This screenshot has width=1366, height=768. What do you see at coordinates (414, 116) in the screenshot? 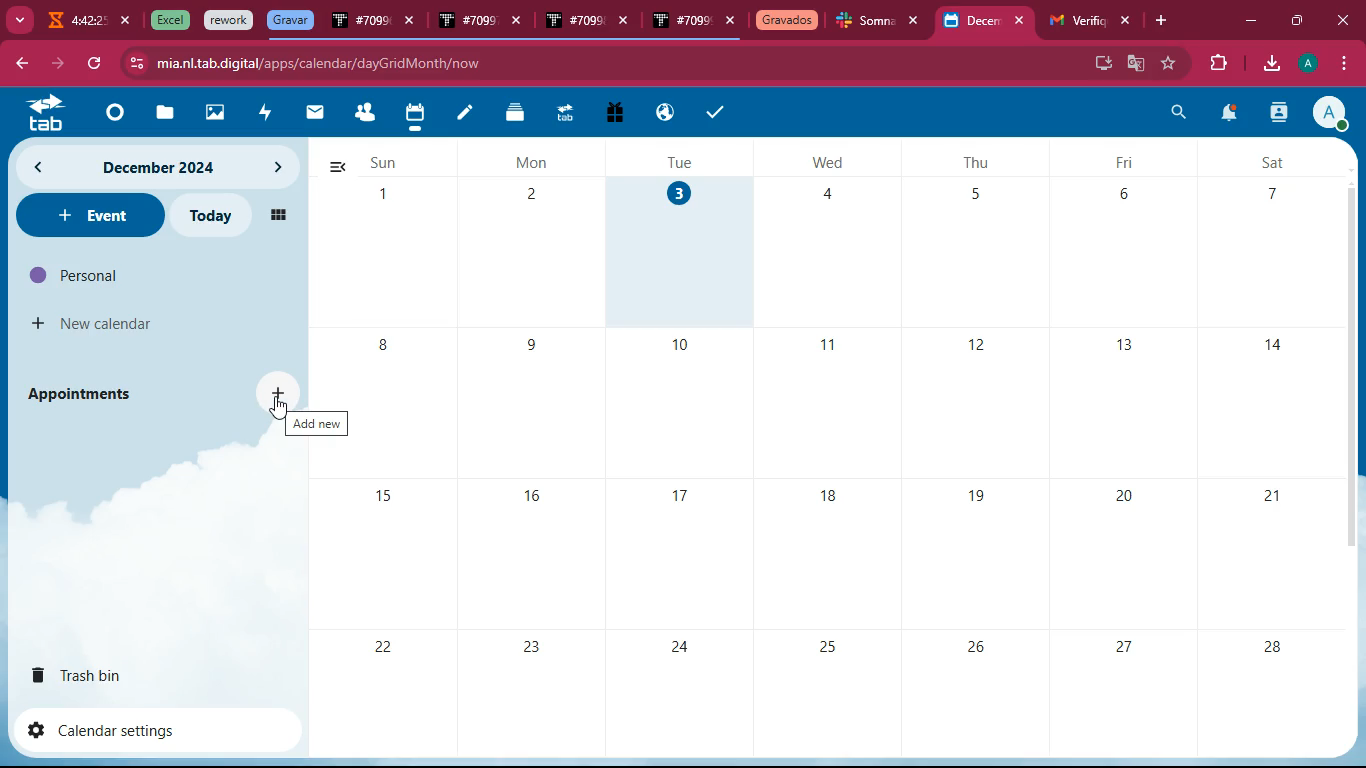
I see `calendar` at bounding box center [414, 116].